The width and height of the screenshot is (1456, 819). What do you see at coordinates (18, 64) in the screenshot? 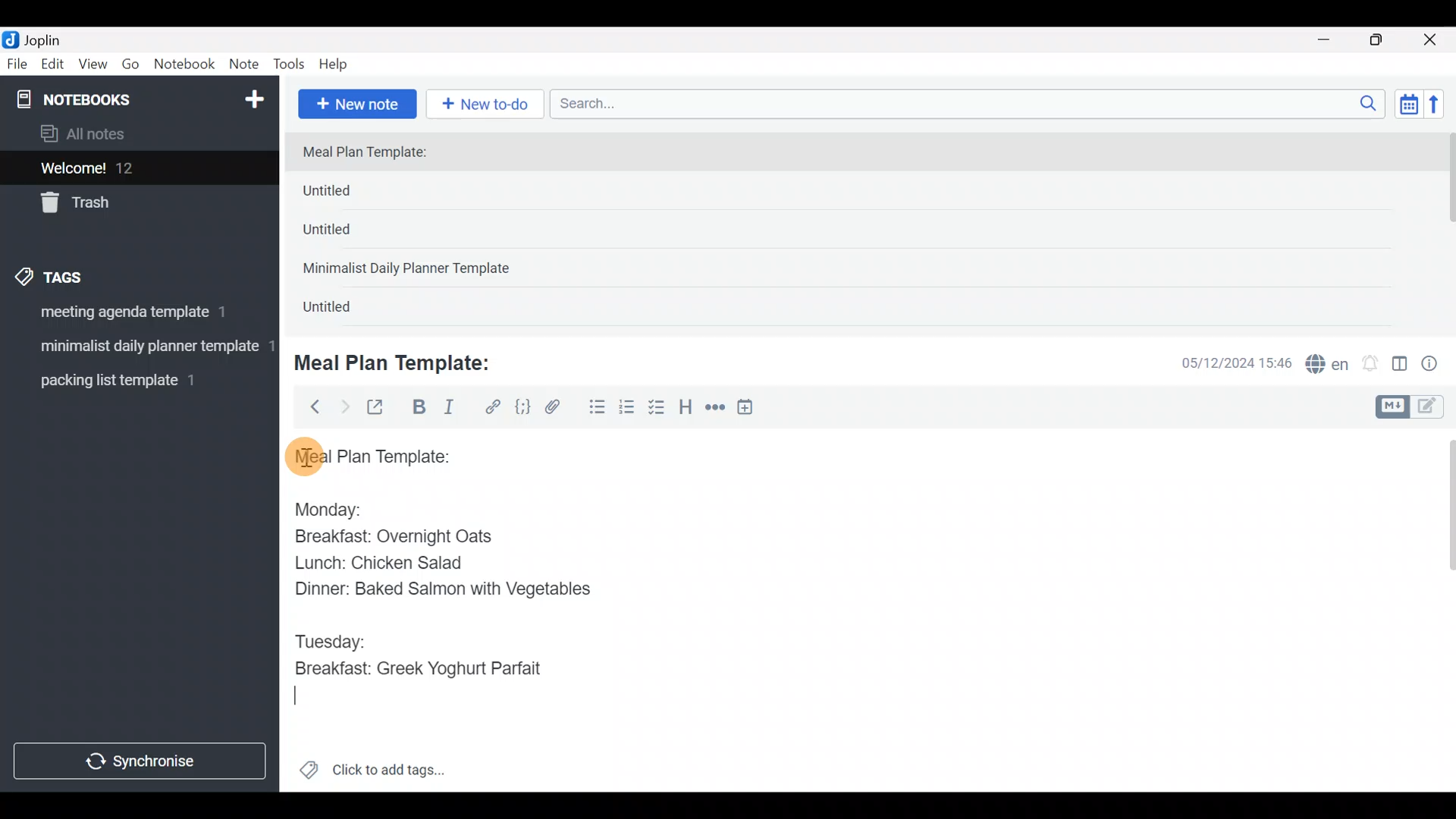
I see `File` at bounding box center [18, 64].